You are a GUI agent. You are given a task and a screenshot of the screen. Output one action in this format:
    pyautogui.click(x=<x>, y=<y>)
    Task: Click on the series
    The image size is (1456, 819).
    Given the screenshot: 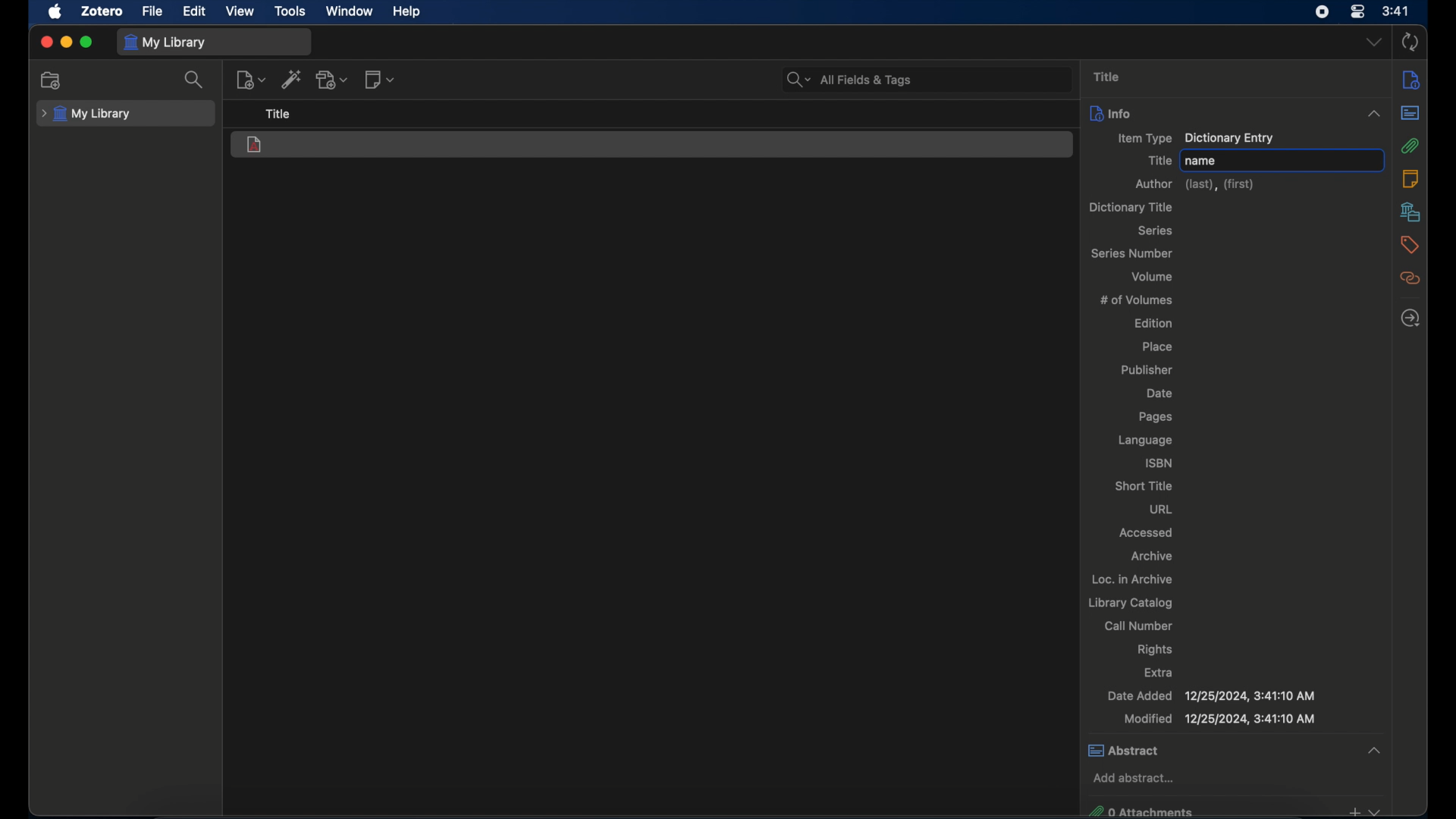 What is the action you would take?
    pyautogui.click(x=1157, y=231)
    